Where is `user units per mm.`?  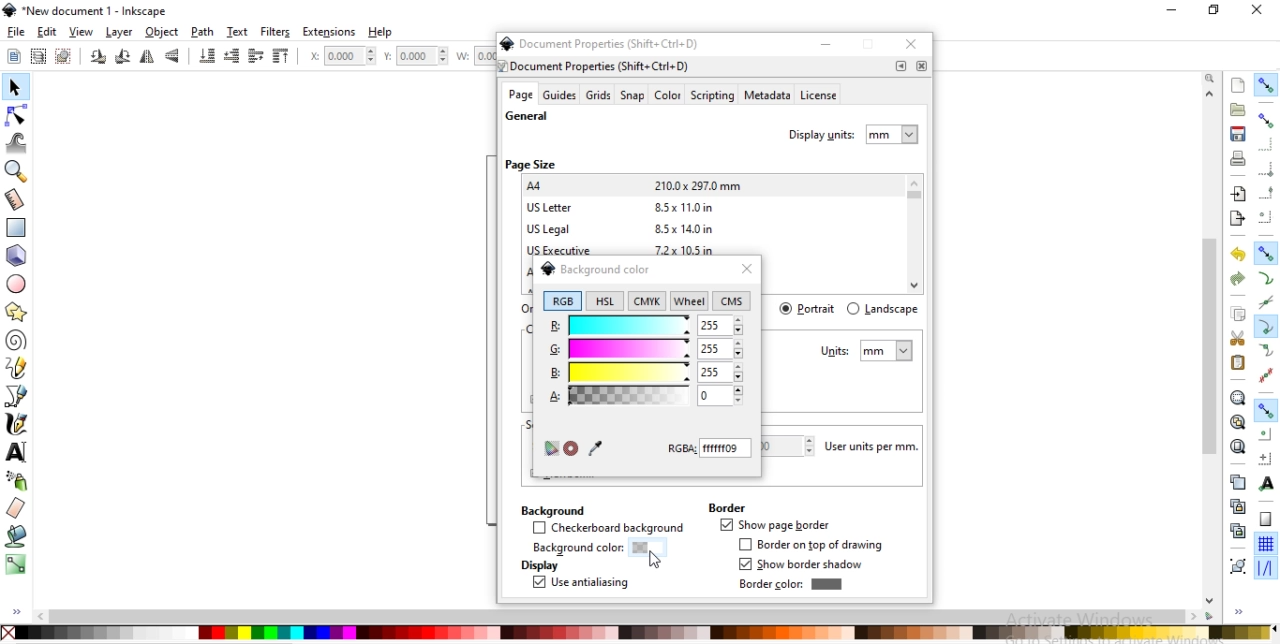
user units per mm. is located at coordinates (877, 447).